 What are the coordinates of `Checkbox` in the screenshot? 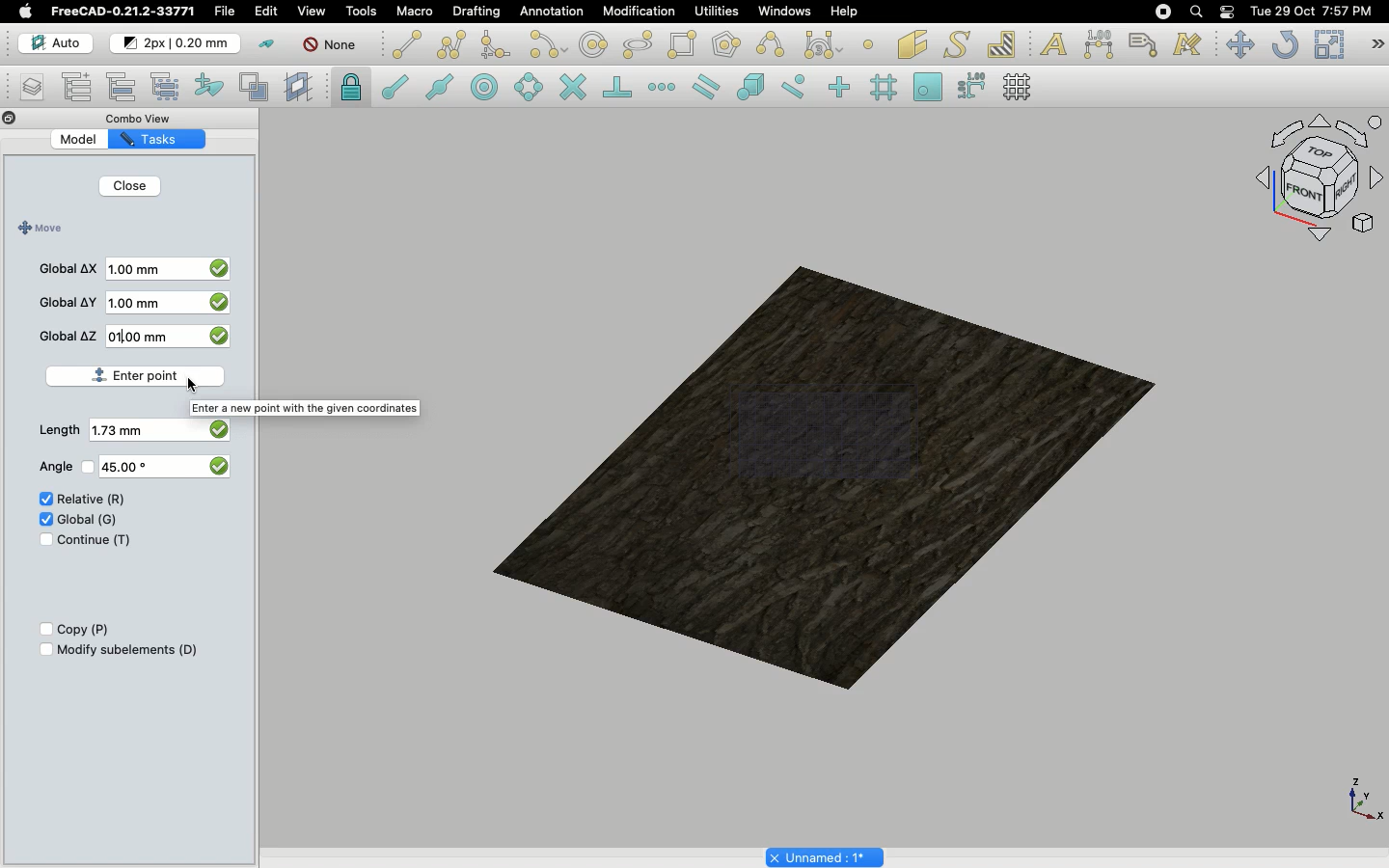 It's located at (41, 630).